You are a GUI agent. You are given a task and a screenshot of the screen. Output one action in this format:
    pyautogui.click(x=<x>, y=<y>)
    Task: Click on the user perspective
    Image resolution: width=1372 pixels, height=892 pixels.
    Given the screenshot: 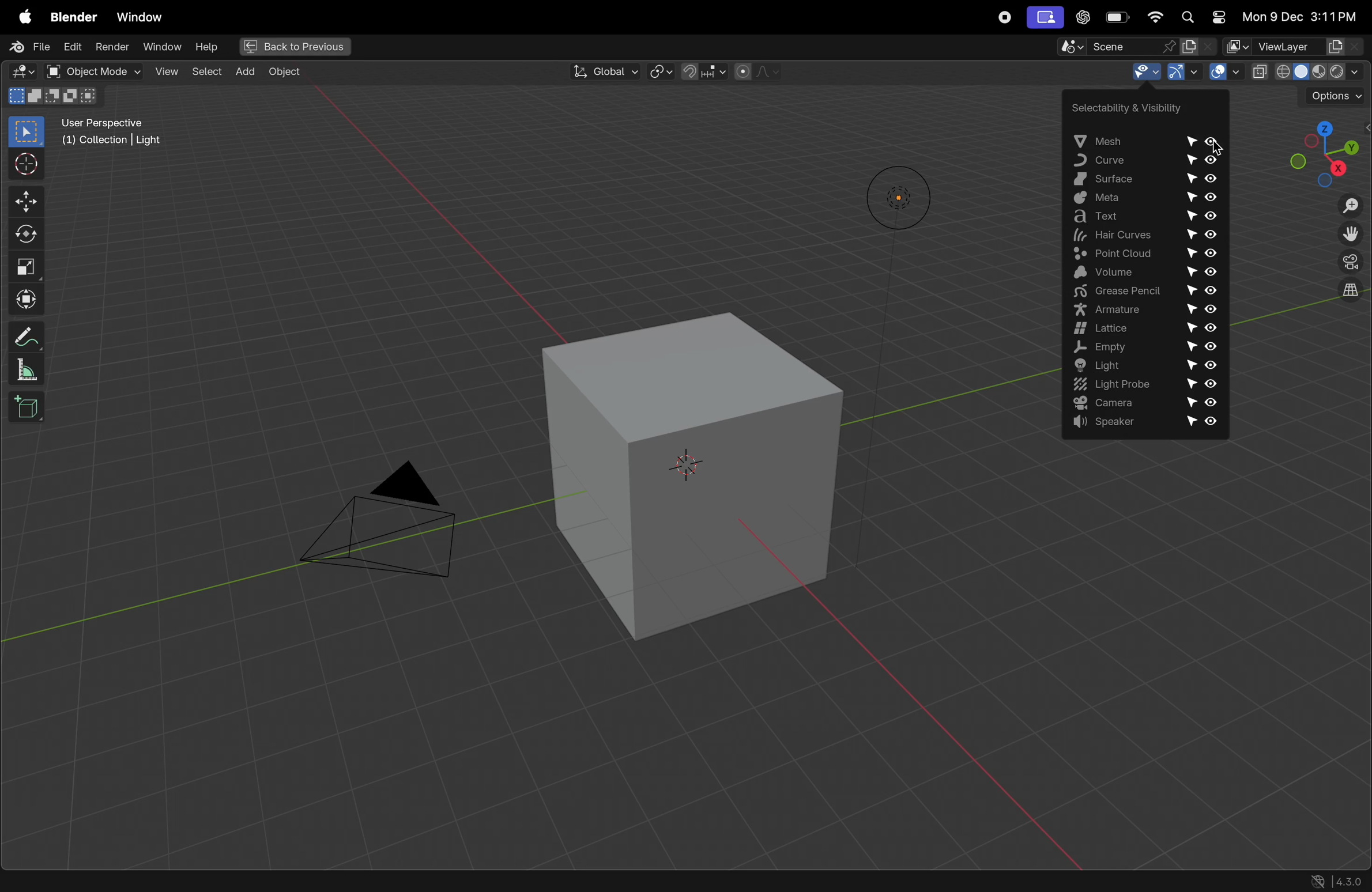 What is the action you would take?
    pyautogui.click(x=120, y=133)
    